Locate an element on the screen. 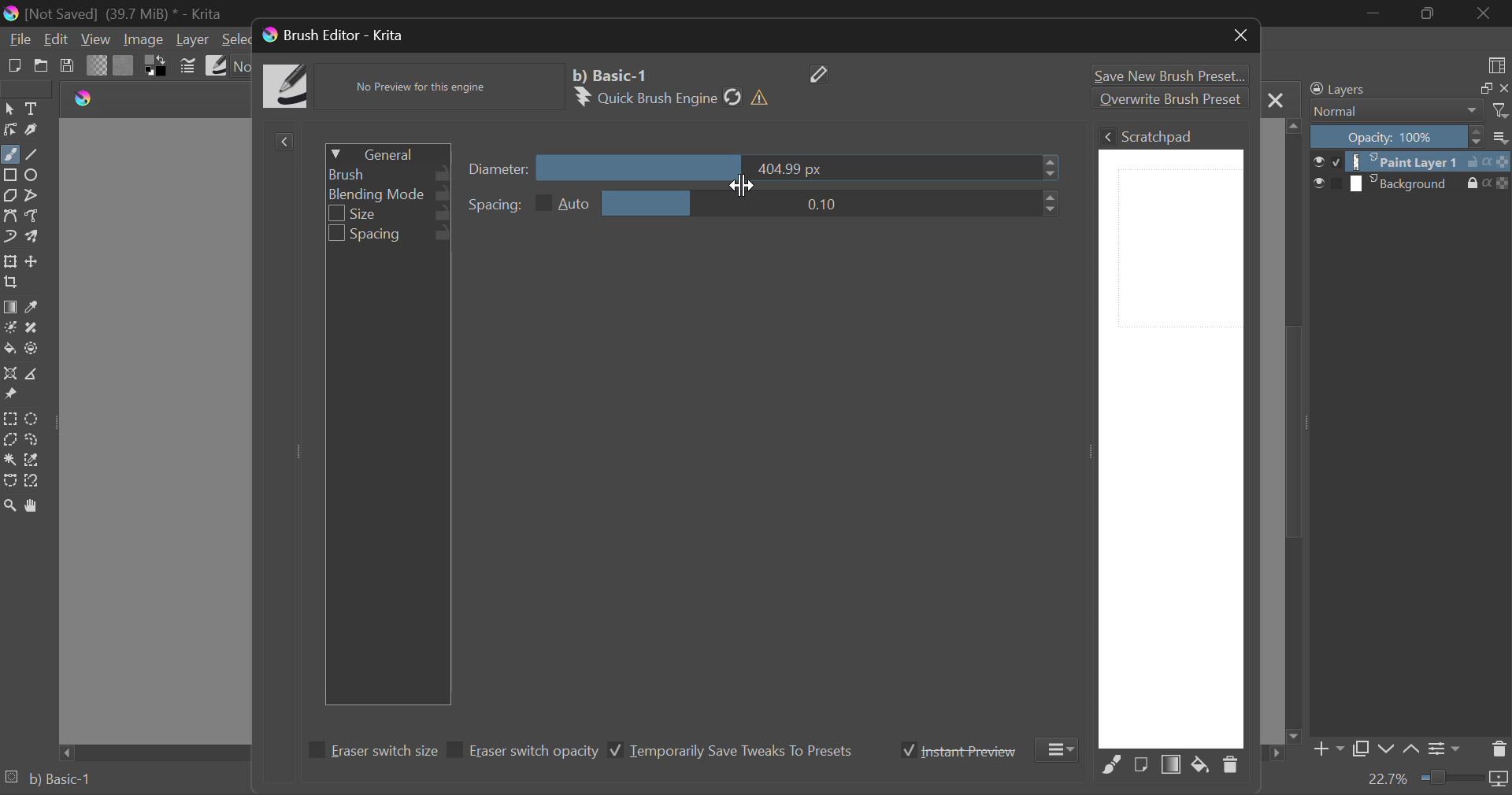 The image size is (1512, 795). Colors in Use is located at coordinates (157, 65).